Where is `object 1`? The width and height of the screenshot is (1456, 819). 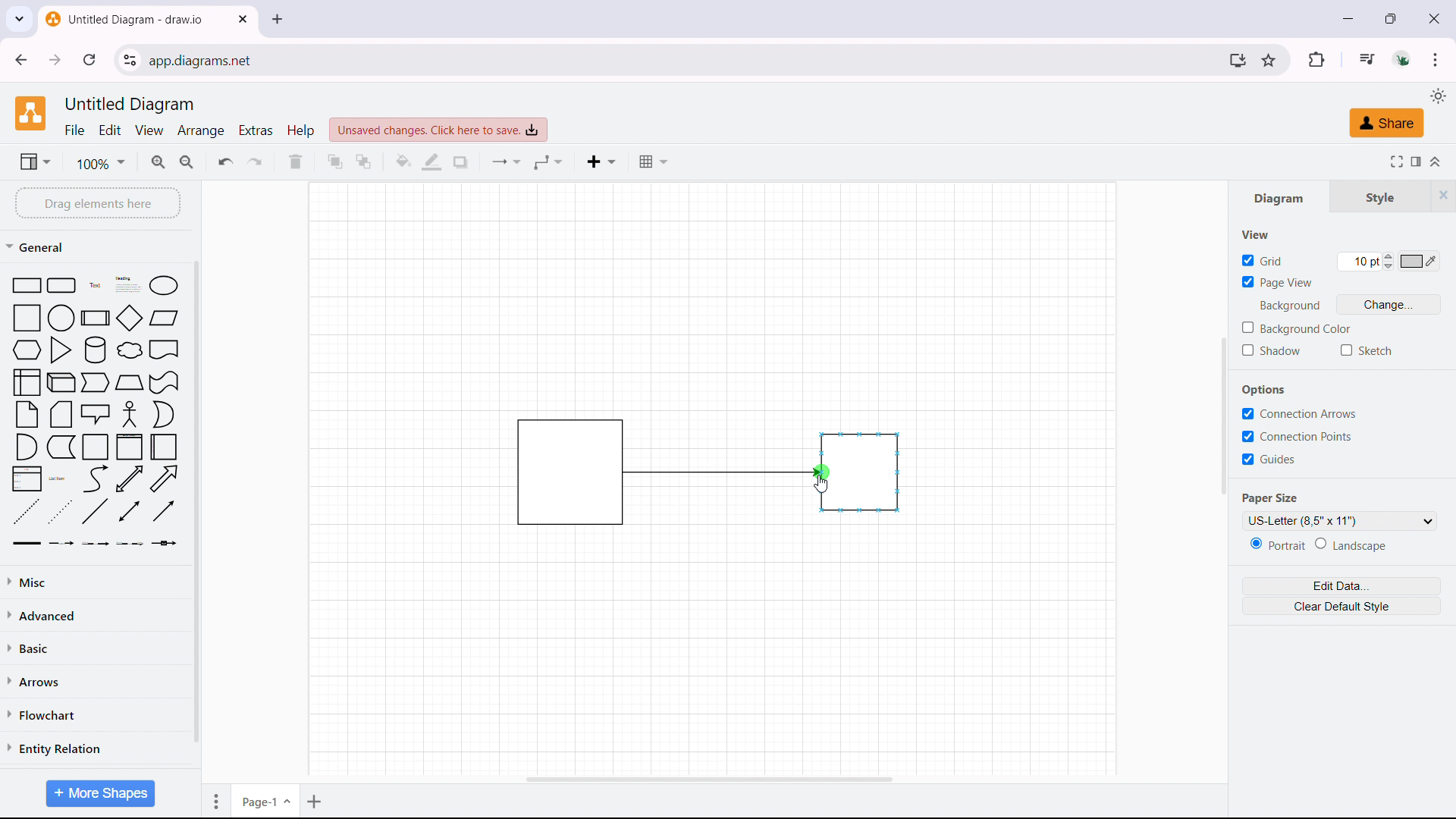 object 1 is located at coordinates (553, 471).